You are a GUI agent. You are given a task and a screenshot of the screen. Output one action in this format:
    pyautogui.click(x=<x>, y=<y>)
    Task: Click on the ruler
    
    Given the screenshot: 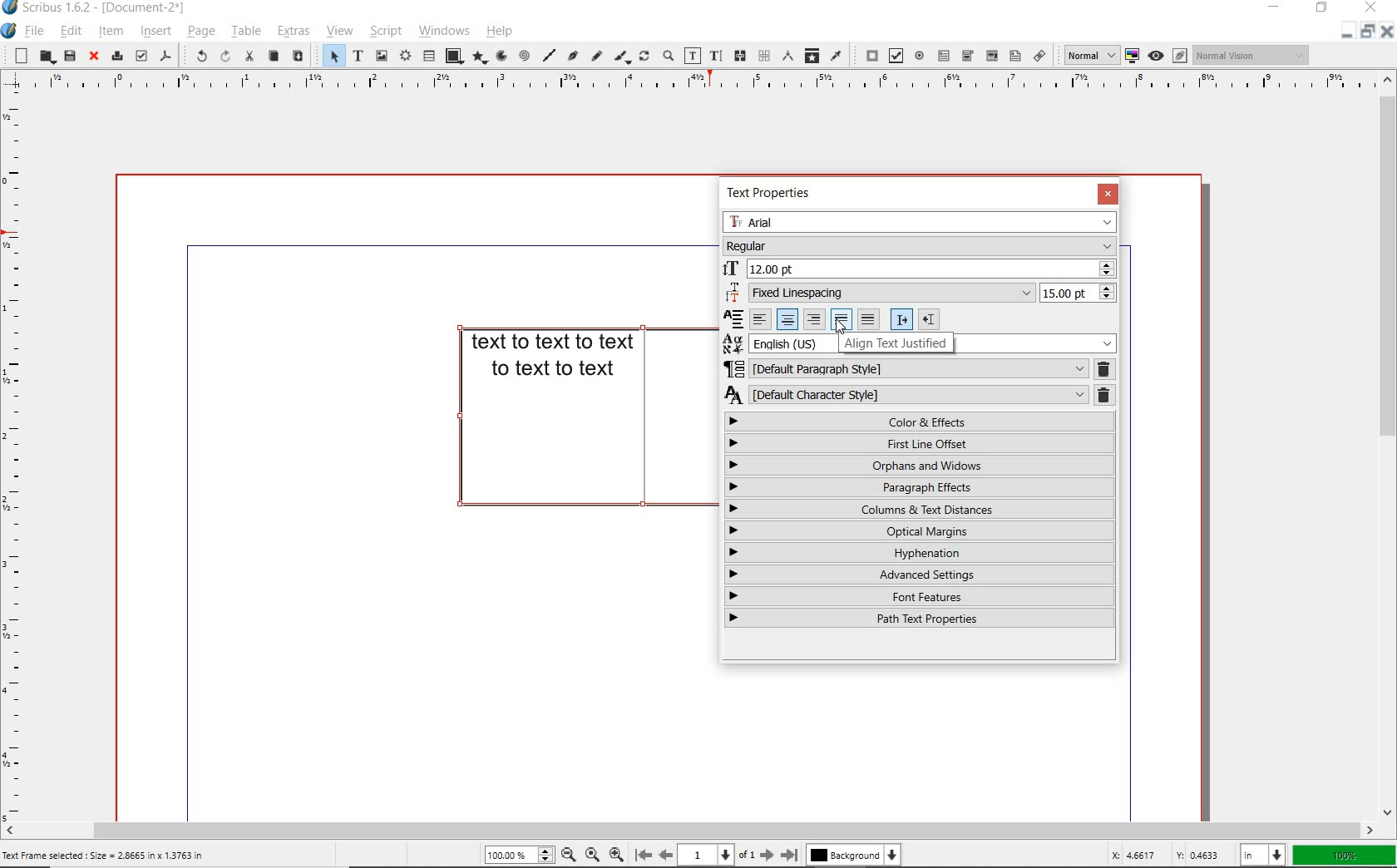 What is the action you would take?
    pyautogui.click(x=700, y=83)
    